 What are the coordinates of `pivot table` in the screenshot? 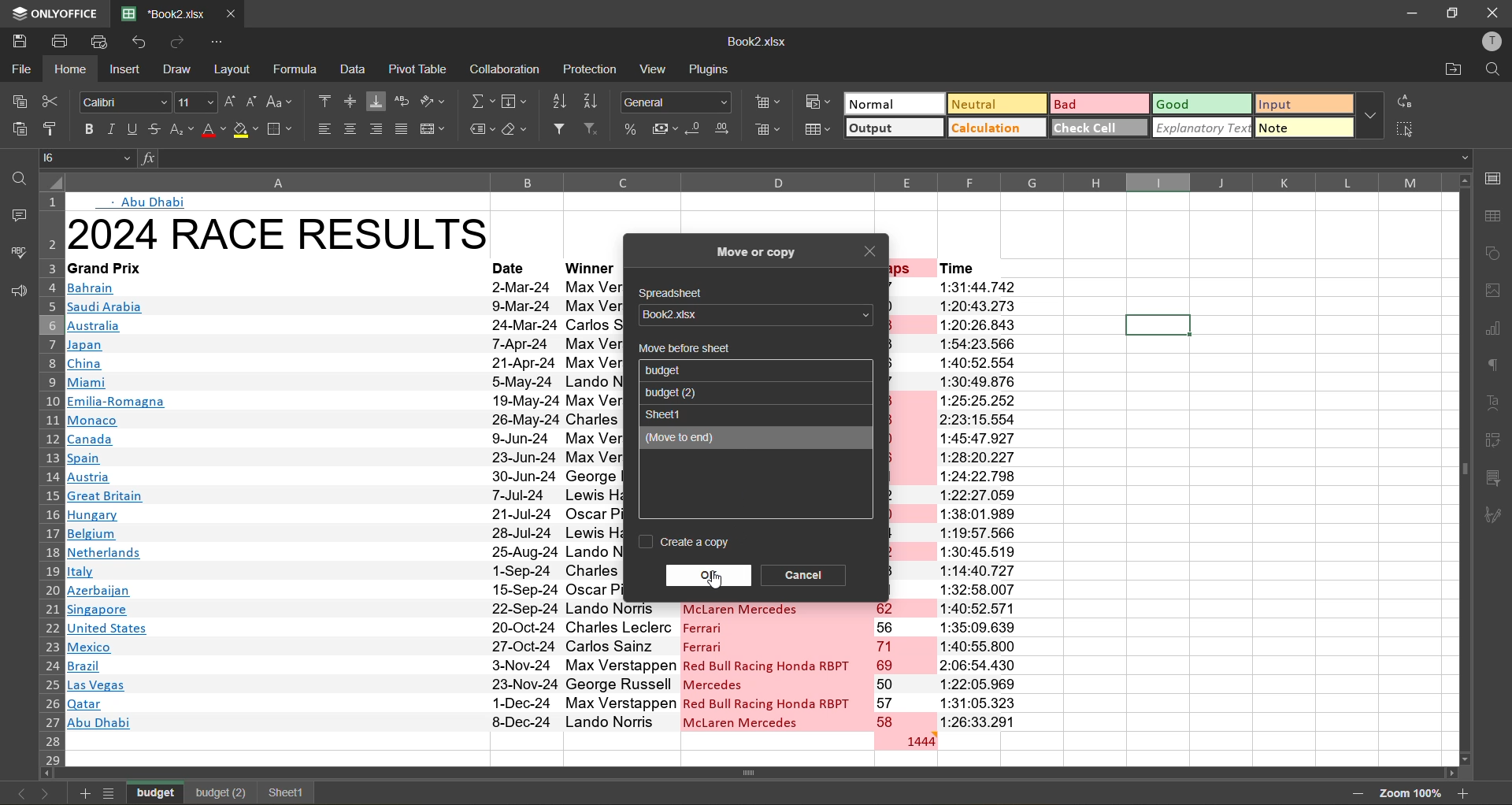 It's located at (420, 68).